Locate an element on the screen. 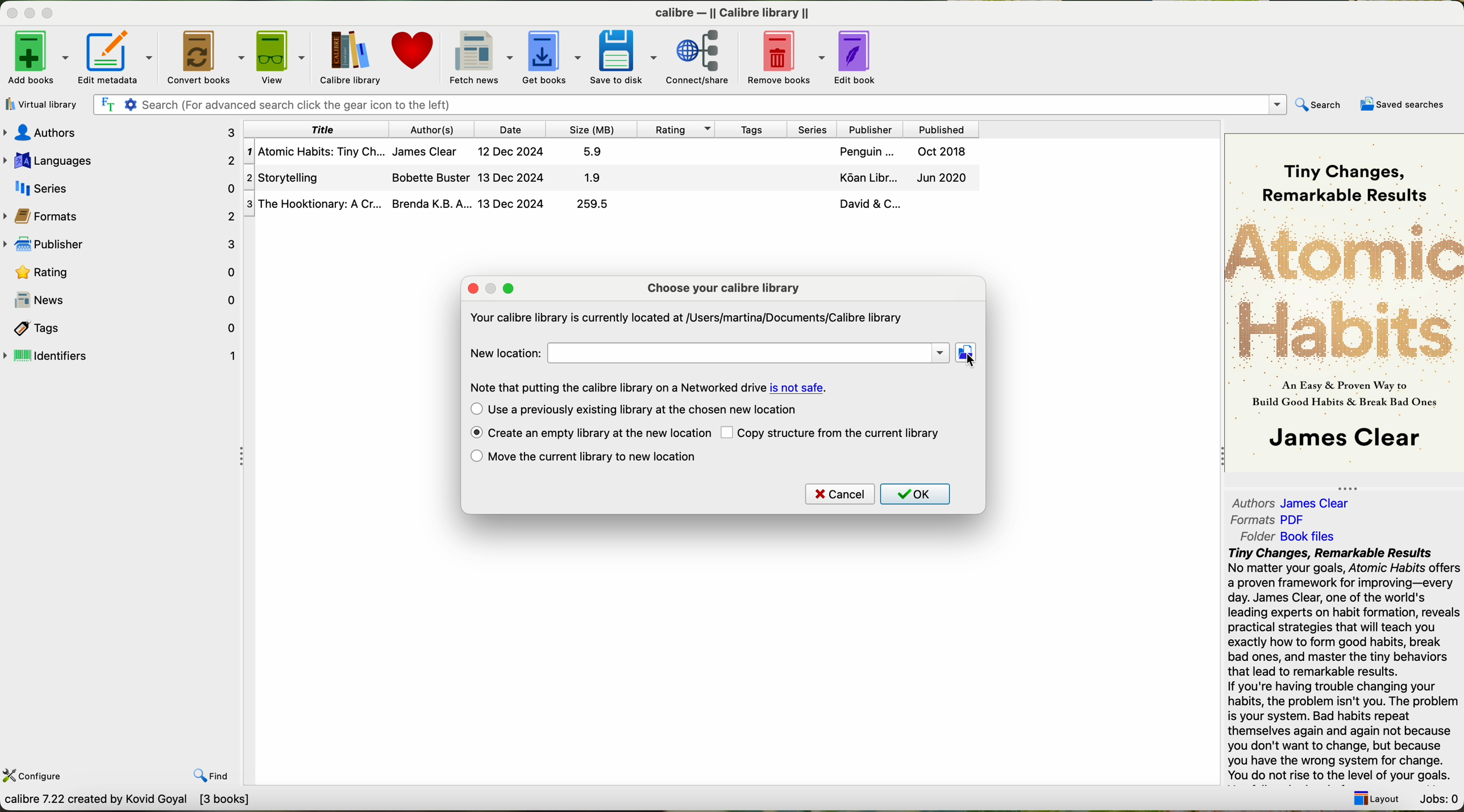 This screenshot has height=812, width=1464. New location path is located at coordinates (750, 353).